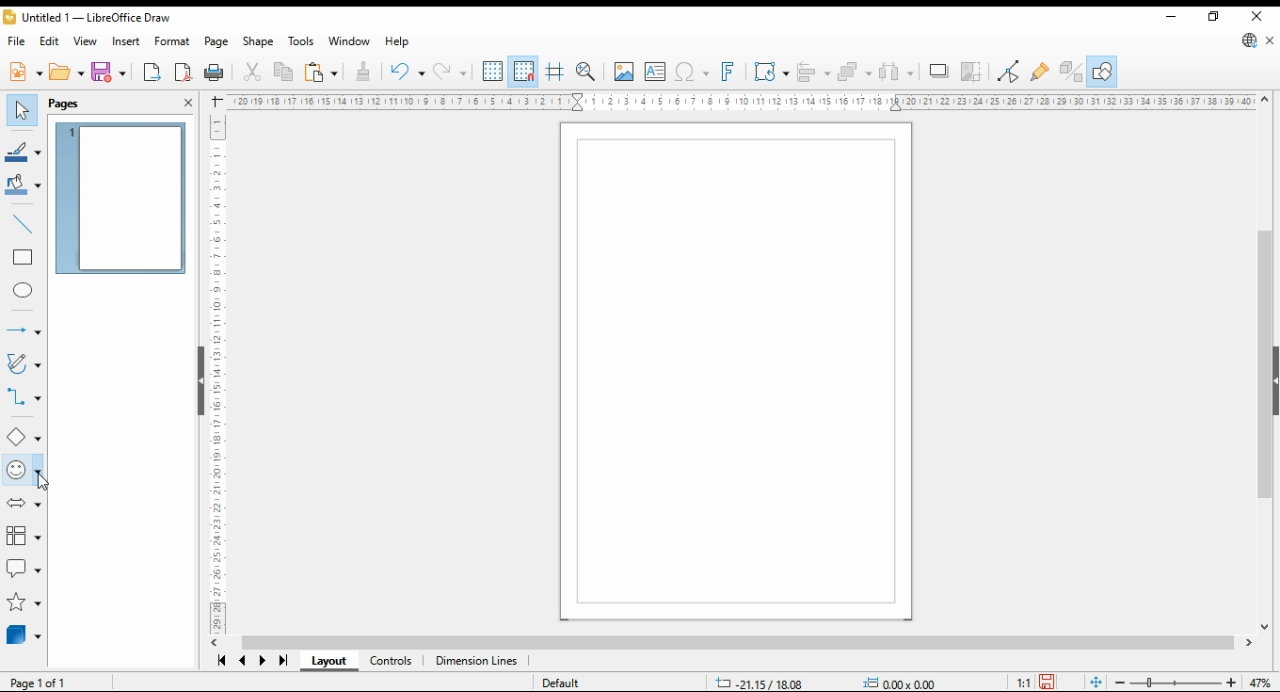  Describe the element at coordinates (897, 72) in the screenshot. I see `select at least three items to distribute` at that location.